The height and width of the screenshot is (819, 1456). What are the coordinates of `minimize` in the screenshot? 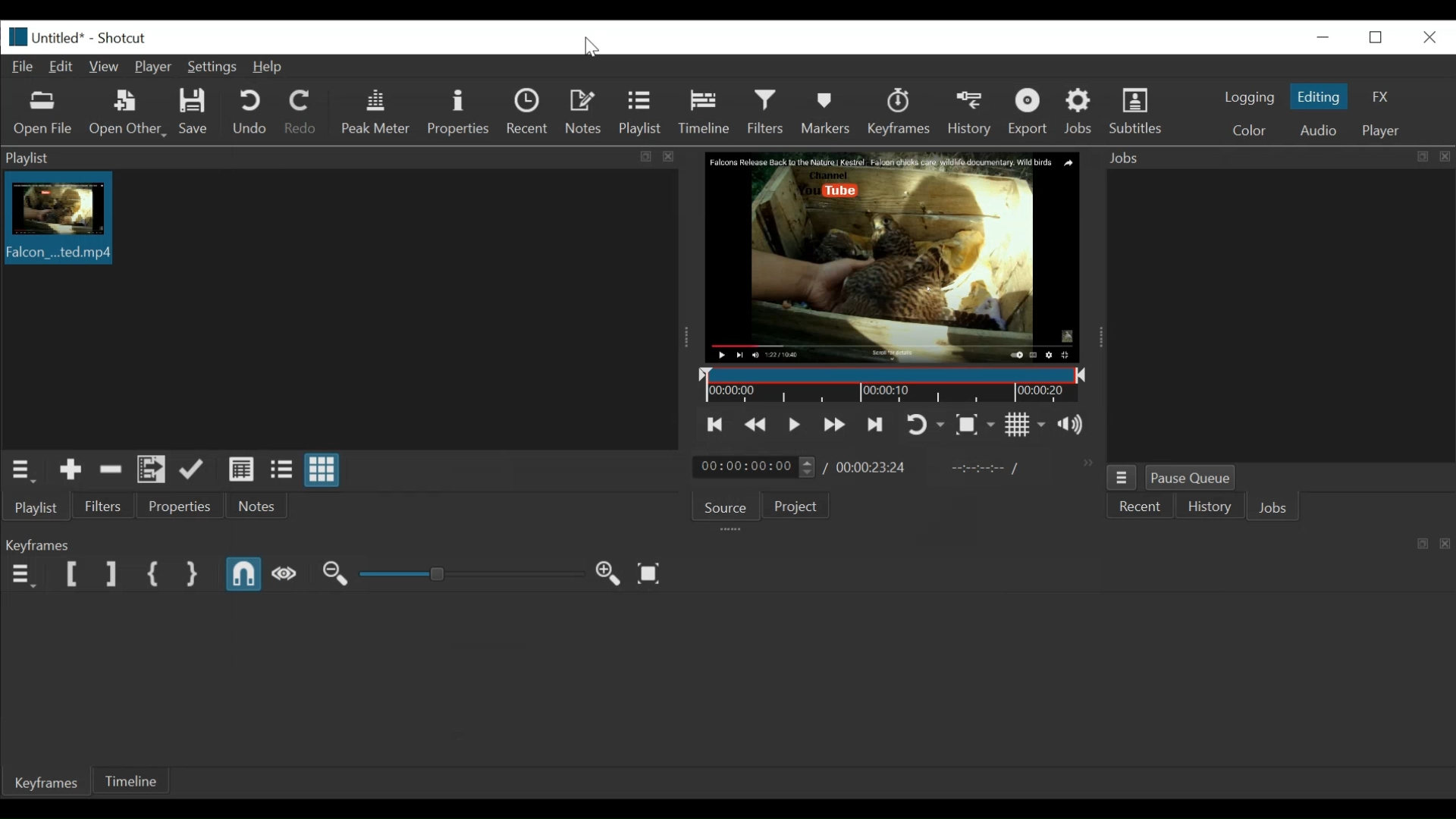 It's located at (1323, 37).